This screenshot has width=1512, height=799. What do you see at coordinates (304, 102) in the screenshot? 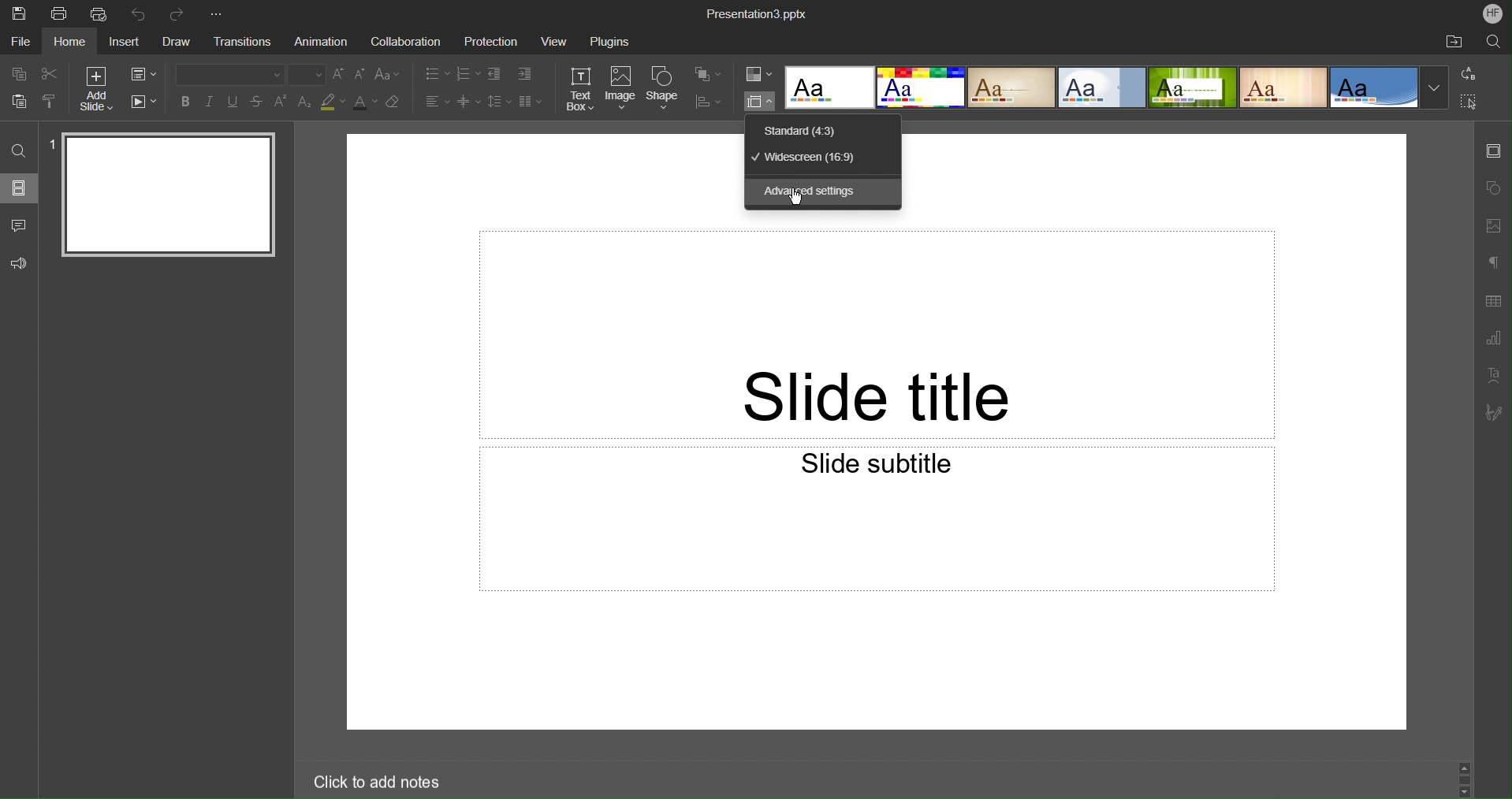
I see `Subscript` at bounding box center [304, 102].